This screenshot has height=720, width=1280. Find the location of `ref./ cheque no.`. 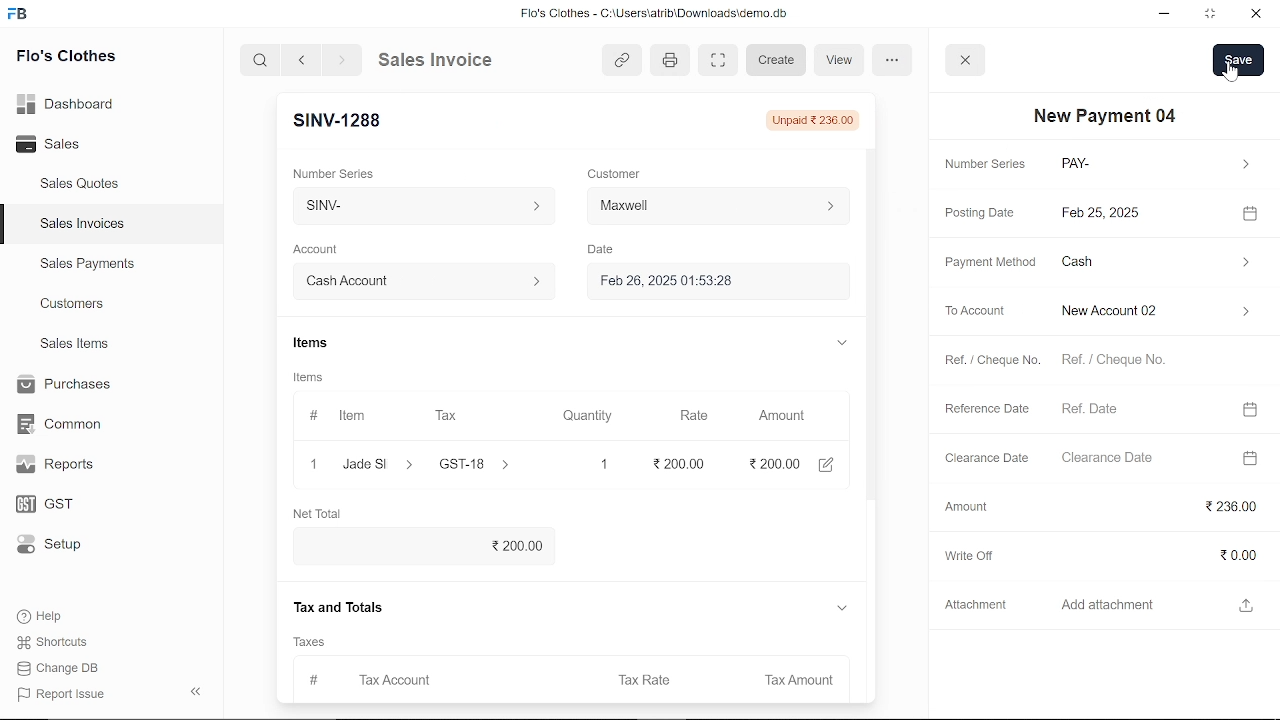

ref./ cheque no. is located at coordinates (1147, 361).